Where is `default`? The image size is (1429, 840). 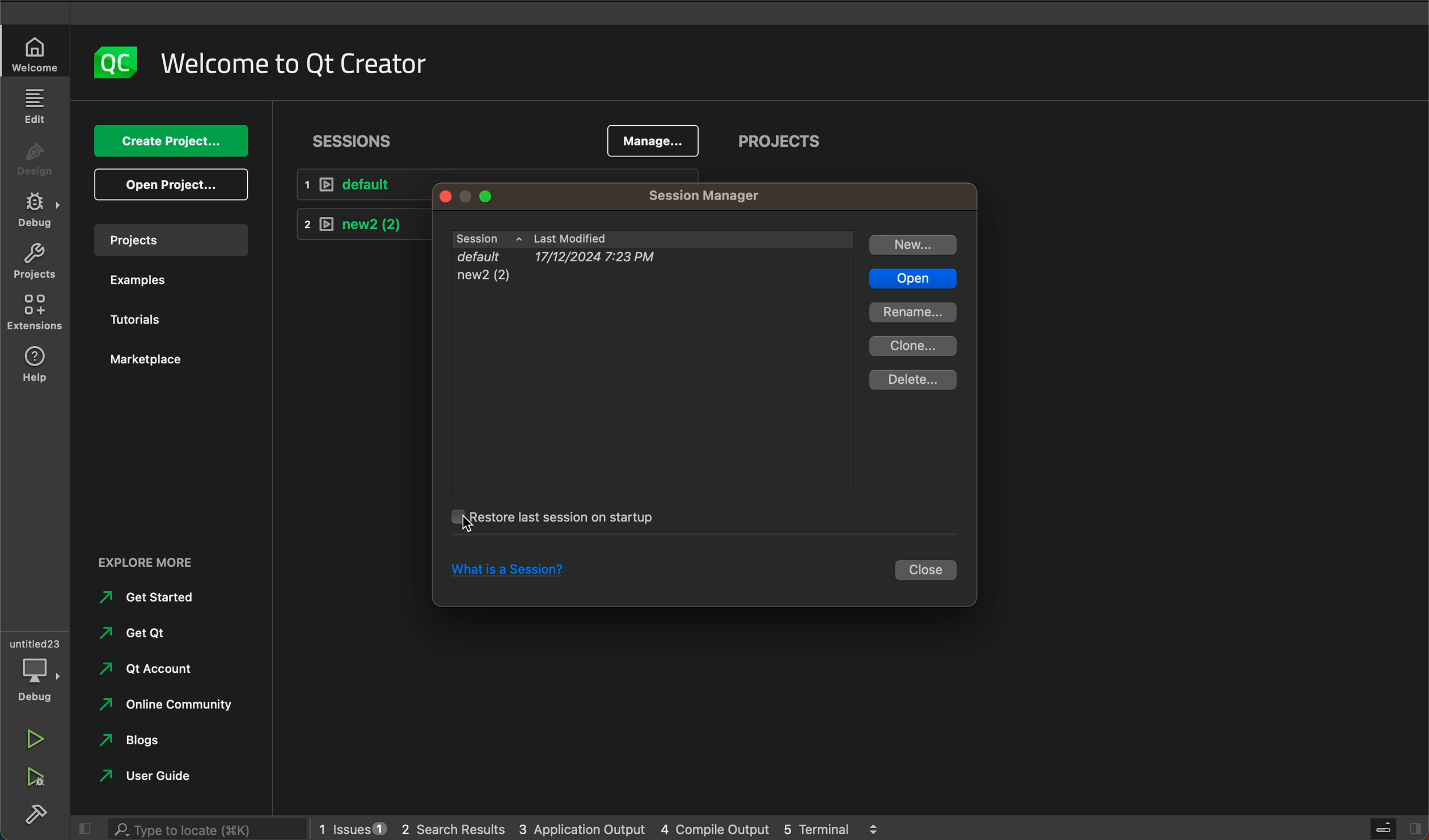 default is located at coordinates (358, 184).